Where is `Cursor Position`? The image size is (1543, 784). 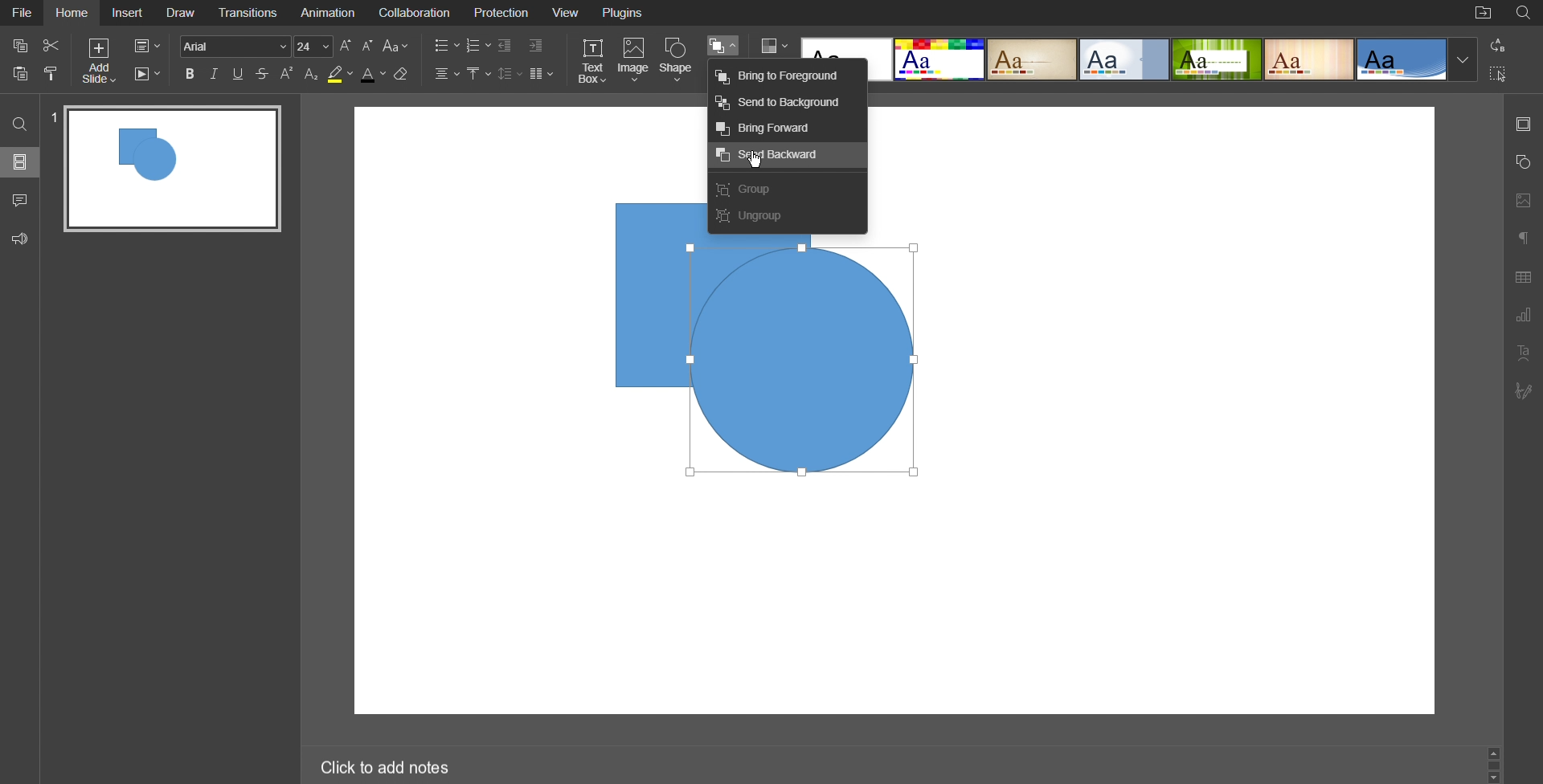 Cursor Position is located at coordinates (755, 160).